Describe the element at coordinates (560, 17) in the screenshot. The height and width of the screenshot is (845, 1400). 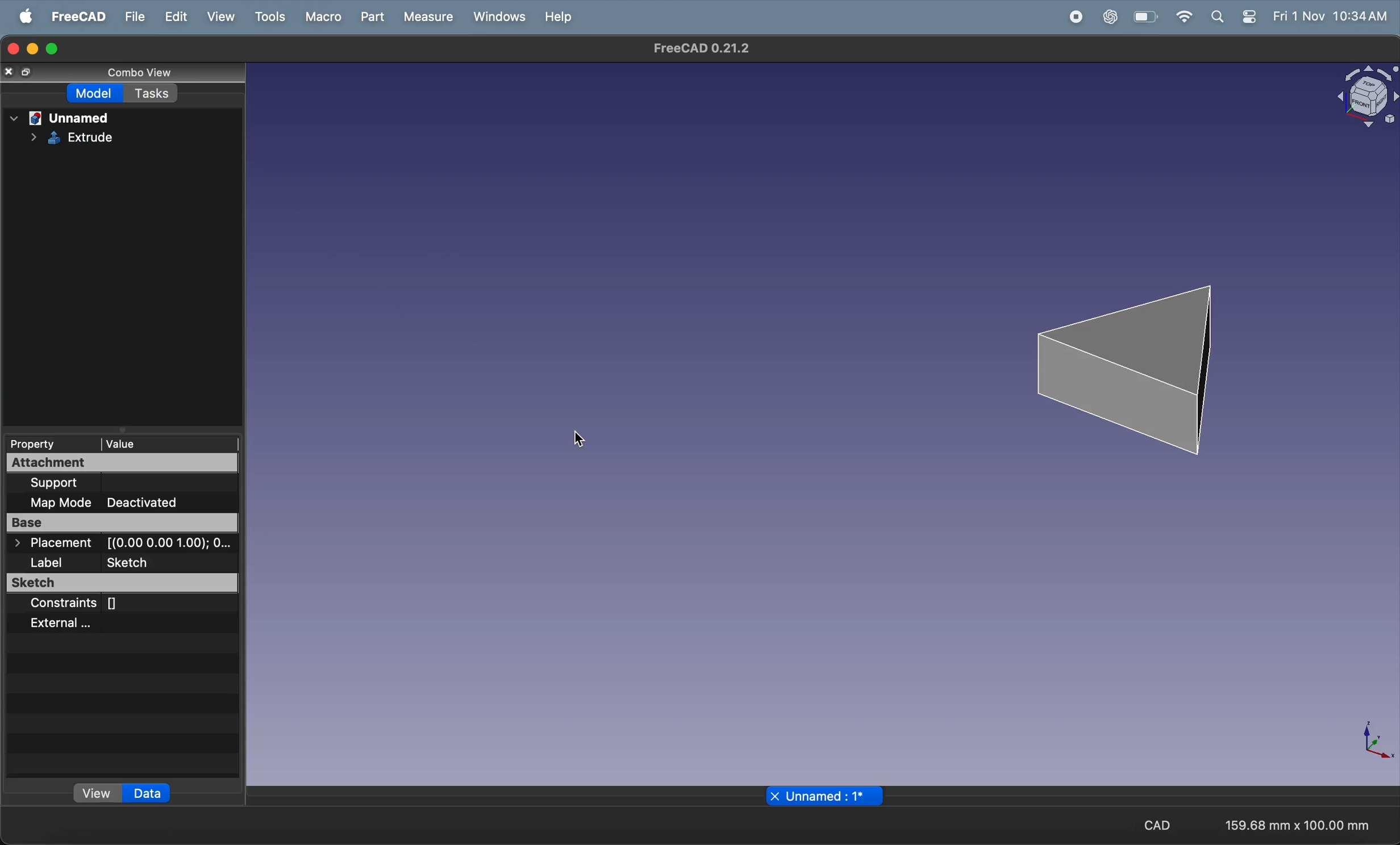
I see `help` at that location.